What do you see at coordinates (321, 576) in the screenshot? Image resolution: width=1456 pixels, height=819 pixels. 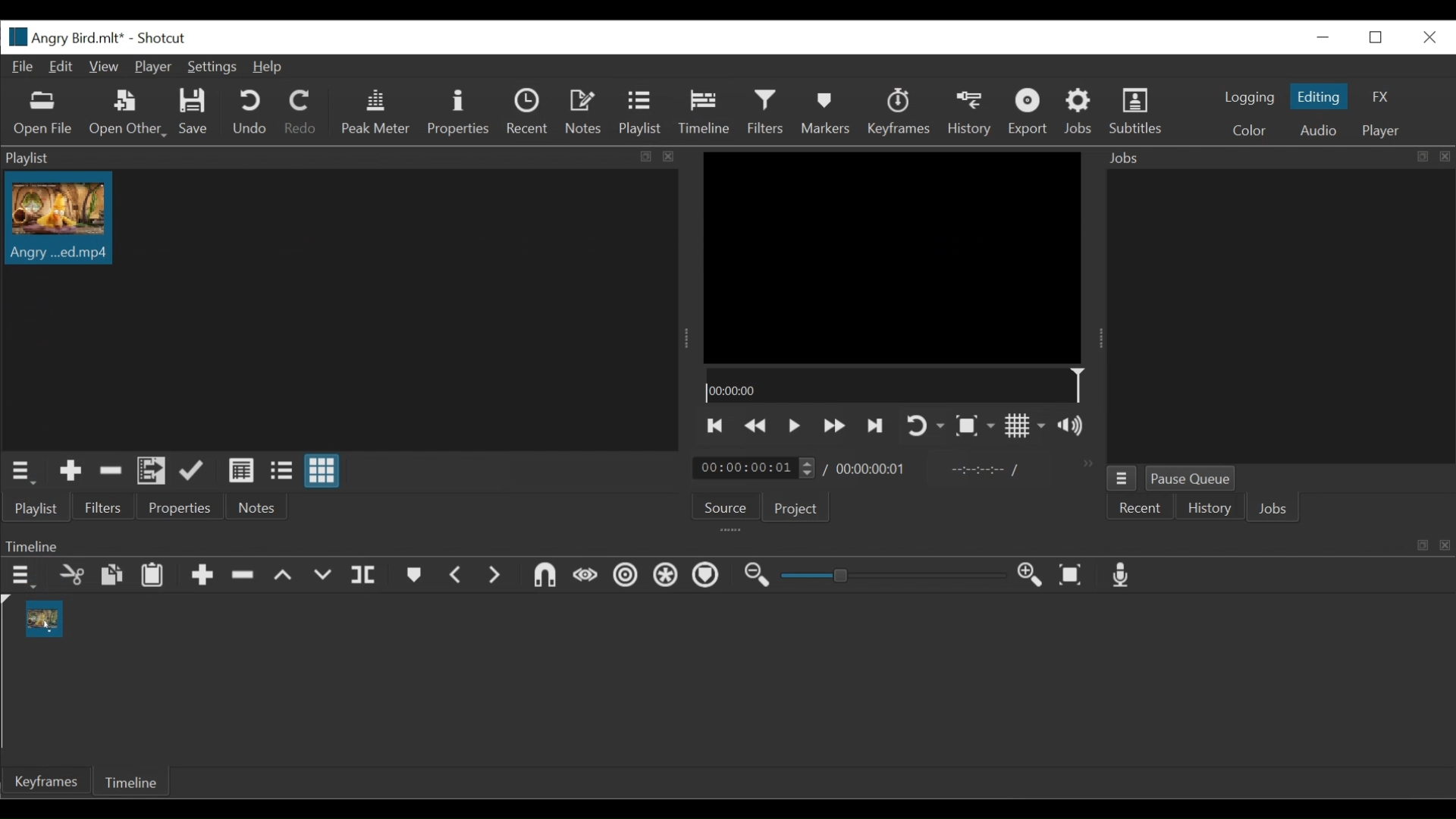 I see `Overwrite` at bounding box center [321, 576].